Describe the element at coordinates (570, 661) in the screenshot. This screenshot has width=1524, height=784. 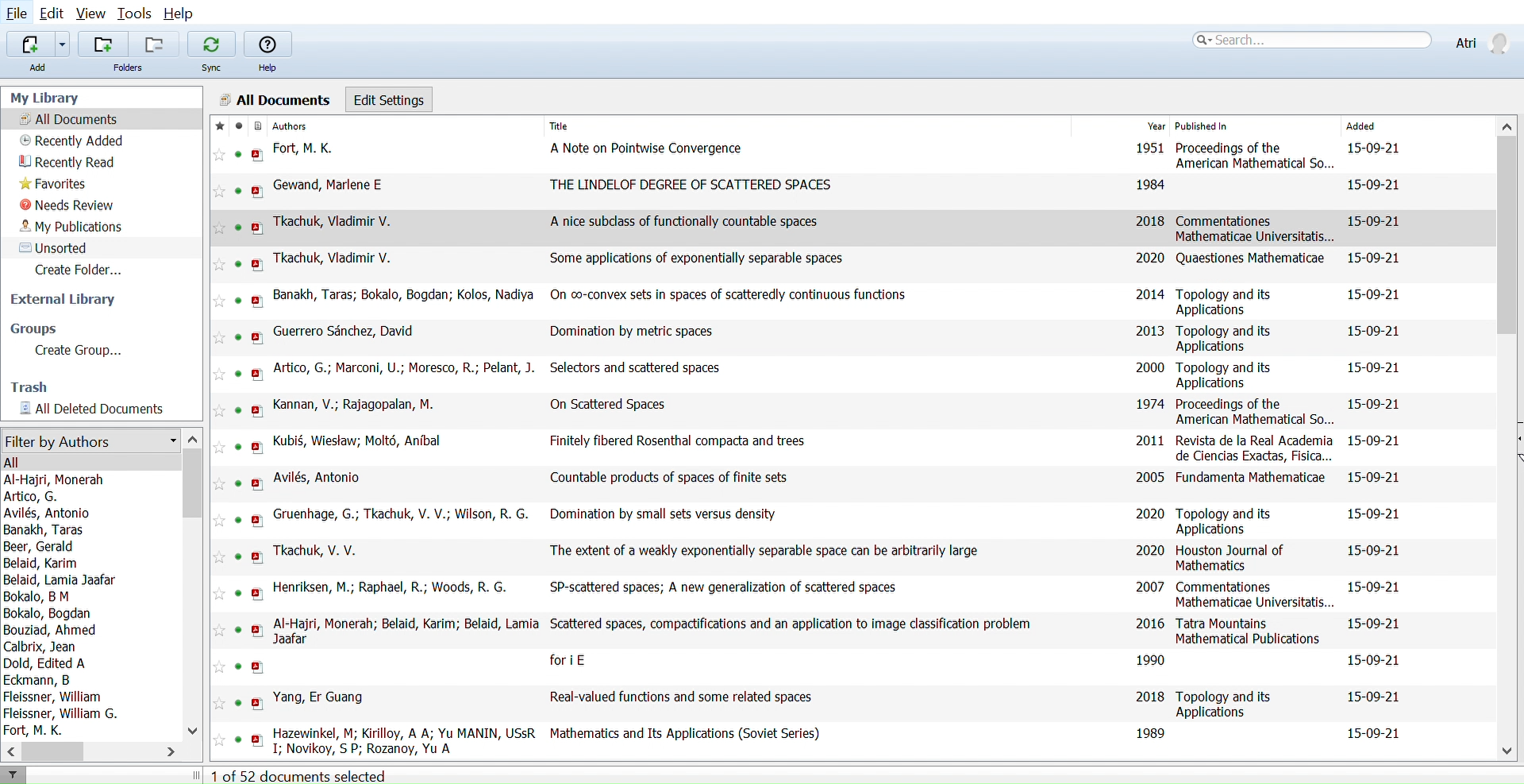
I see `fori E` at that location.